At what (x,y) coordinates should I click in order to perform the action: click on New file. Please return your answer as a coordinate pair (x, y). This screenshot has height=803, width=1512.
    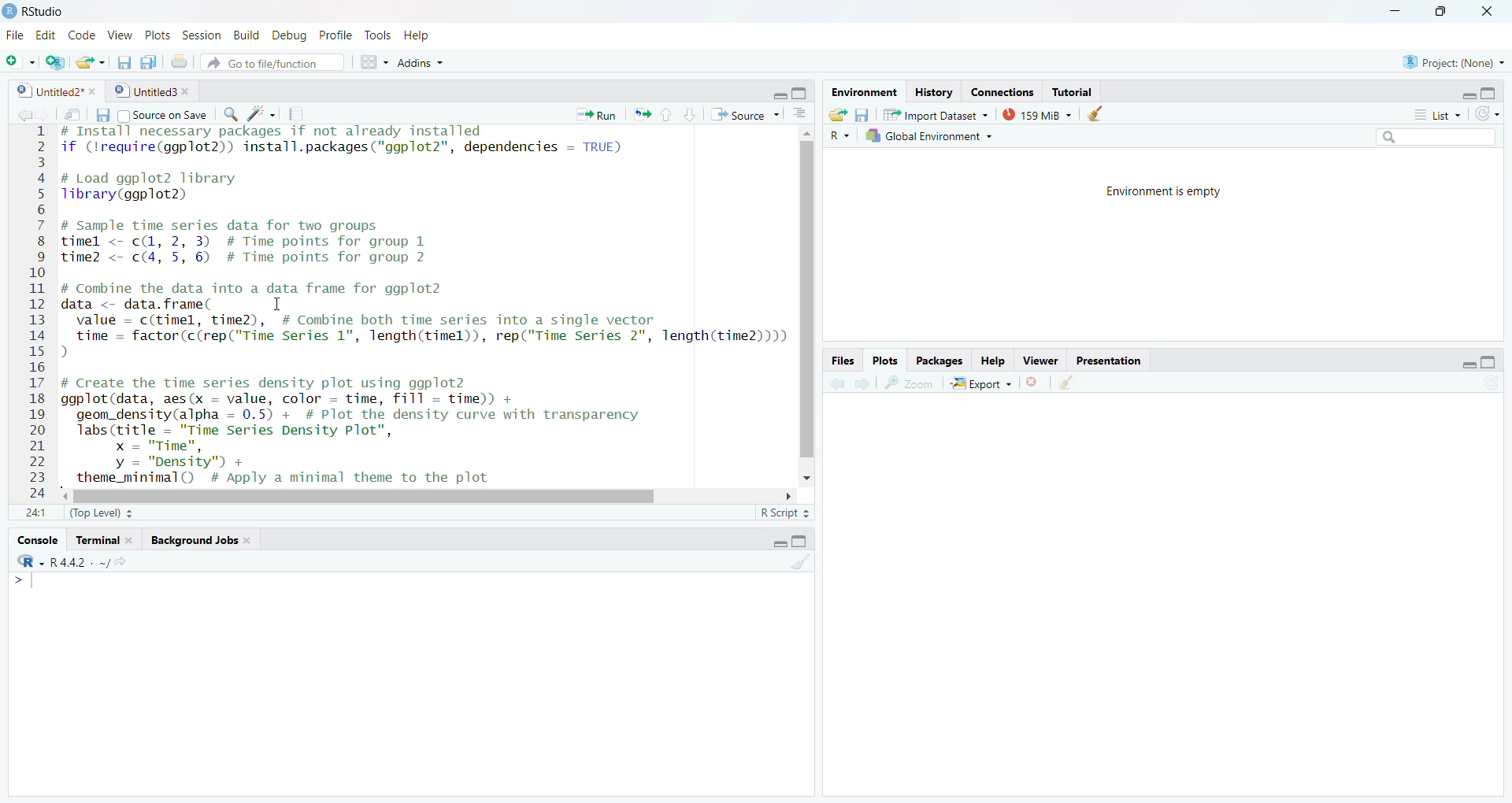
    Looking at the image, I should click on (20, 62).